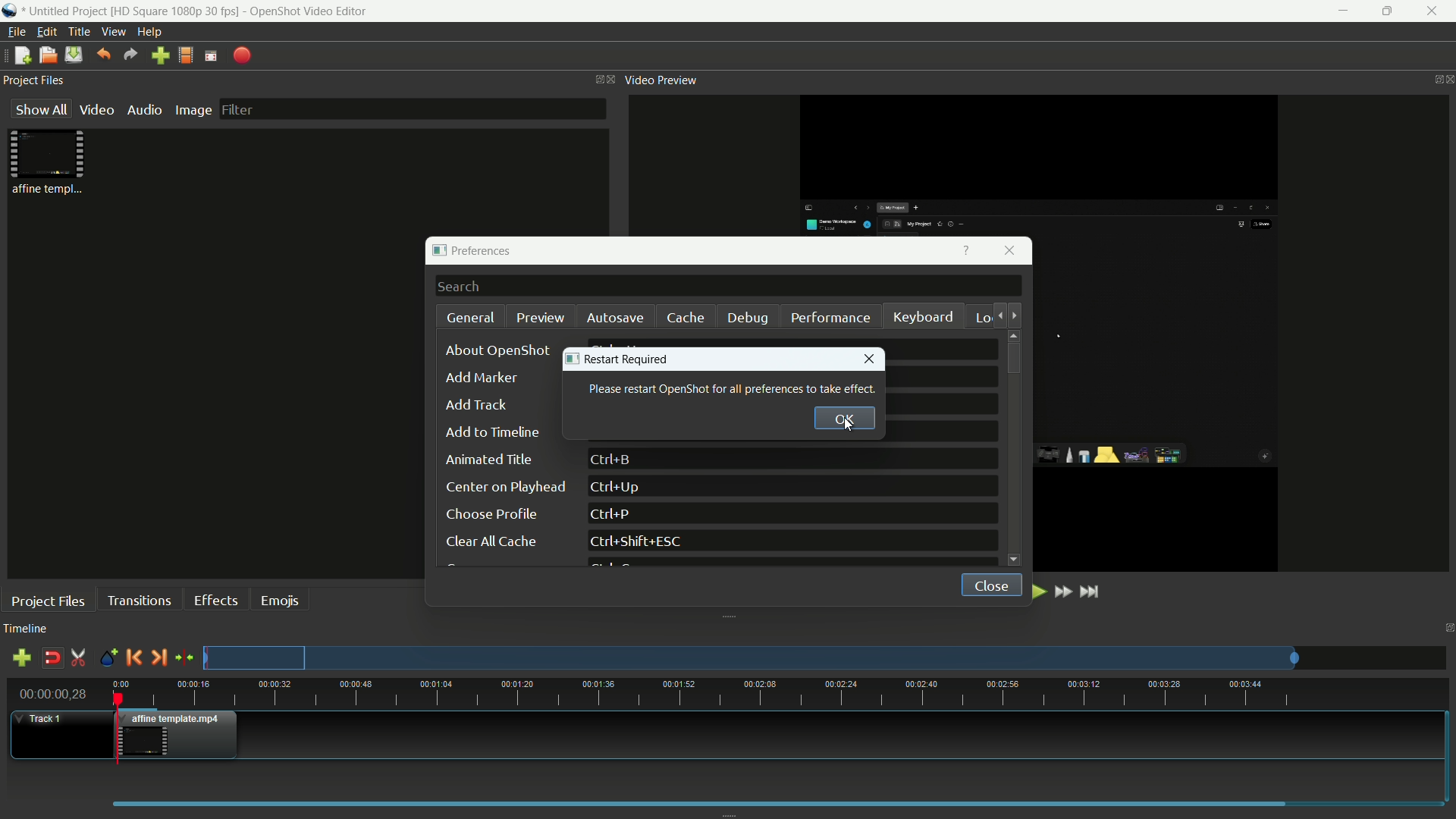 The width and height of the screenshot is (1456, 819). Describe the element at coordinates (620, 487) in the screenshot. I see `keyboard shortcut` at that location.